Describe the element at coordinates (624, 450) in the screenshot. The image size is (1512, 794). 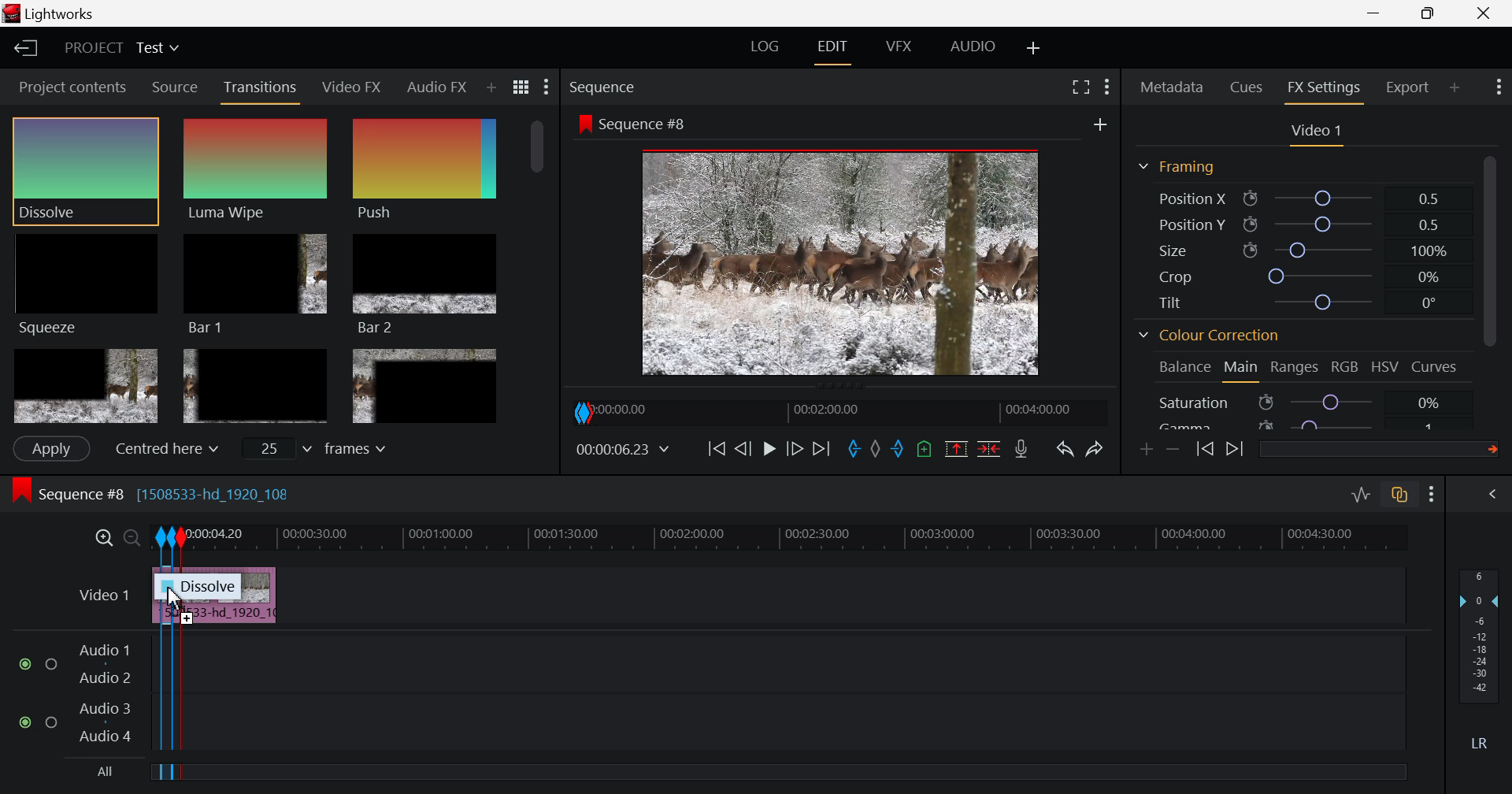
I see `Video Frame Time` at that location.